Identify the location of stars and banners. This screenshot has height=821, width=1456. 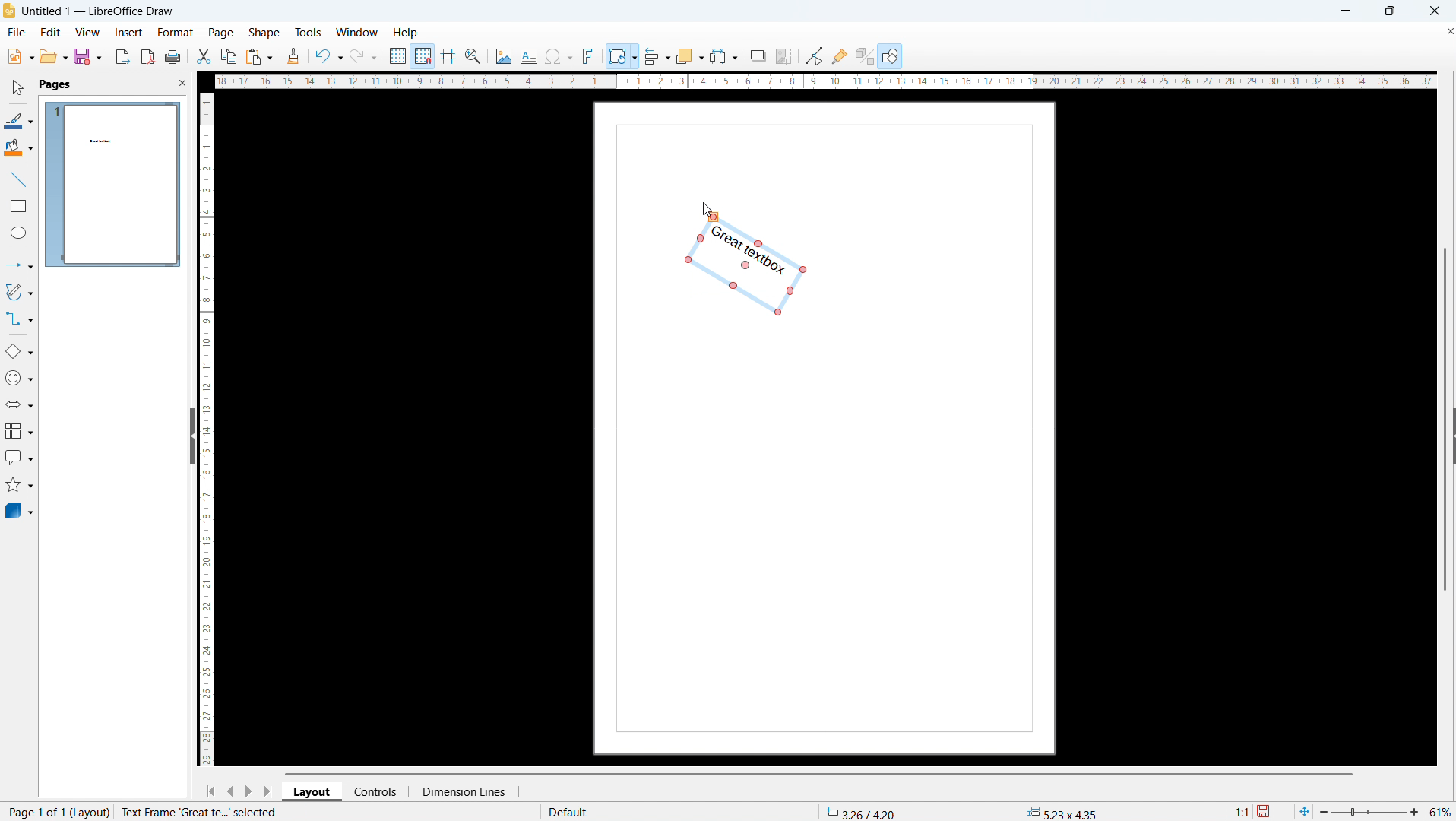
(19, 485).